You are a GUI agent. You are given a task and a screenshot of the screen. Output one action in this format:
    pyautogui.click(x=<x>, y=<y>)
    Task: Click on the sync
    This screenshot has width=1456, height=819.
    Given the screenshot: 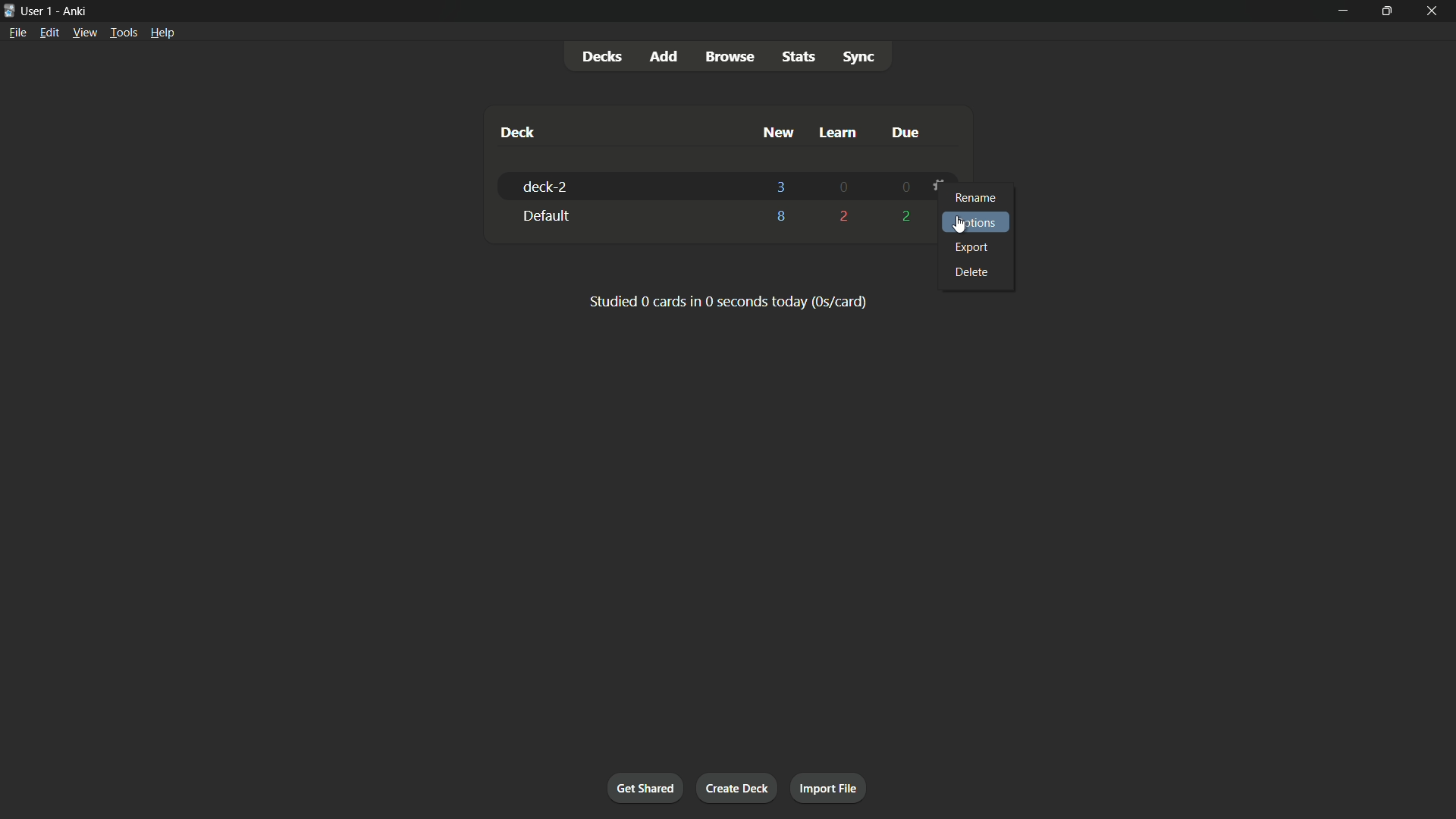 What is the action you would take?
    pyautogui.click(x=859, y=58)
    